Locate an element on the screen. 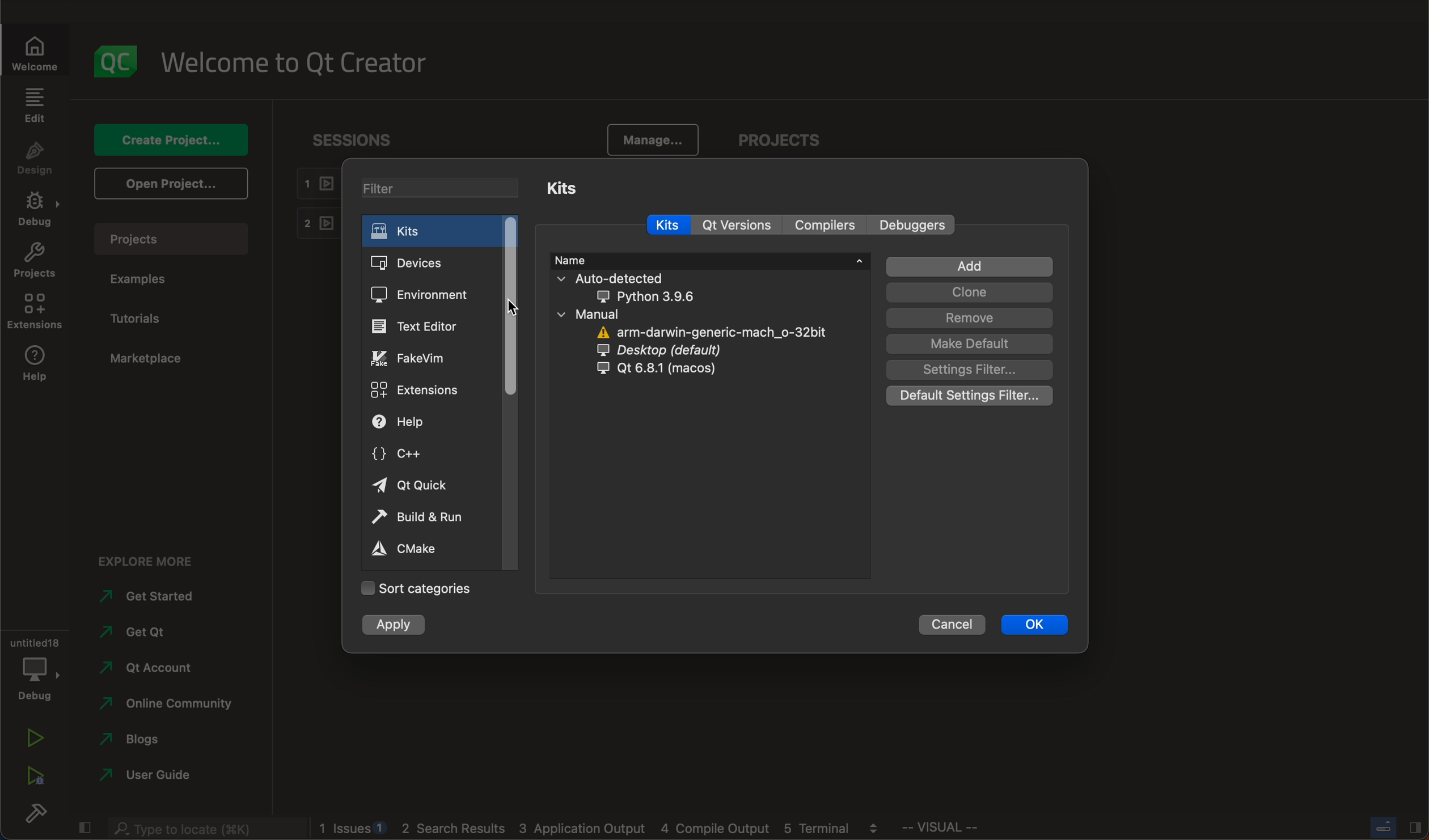  desktop is located at coordinates (666, 352).